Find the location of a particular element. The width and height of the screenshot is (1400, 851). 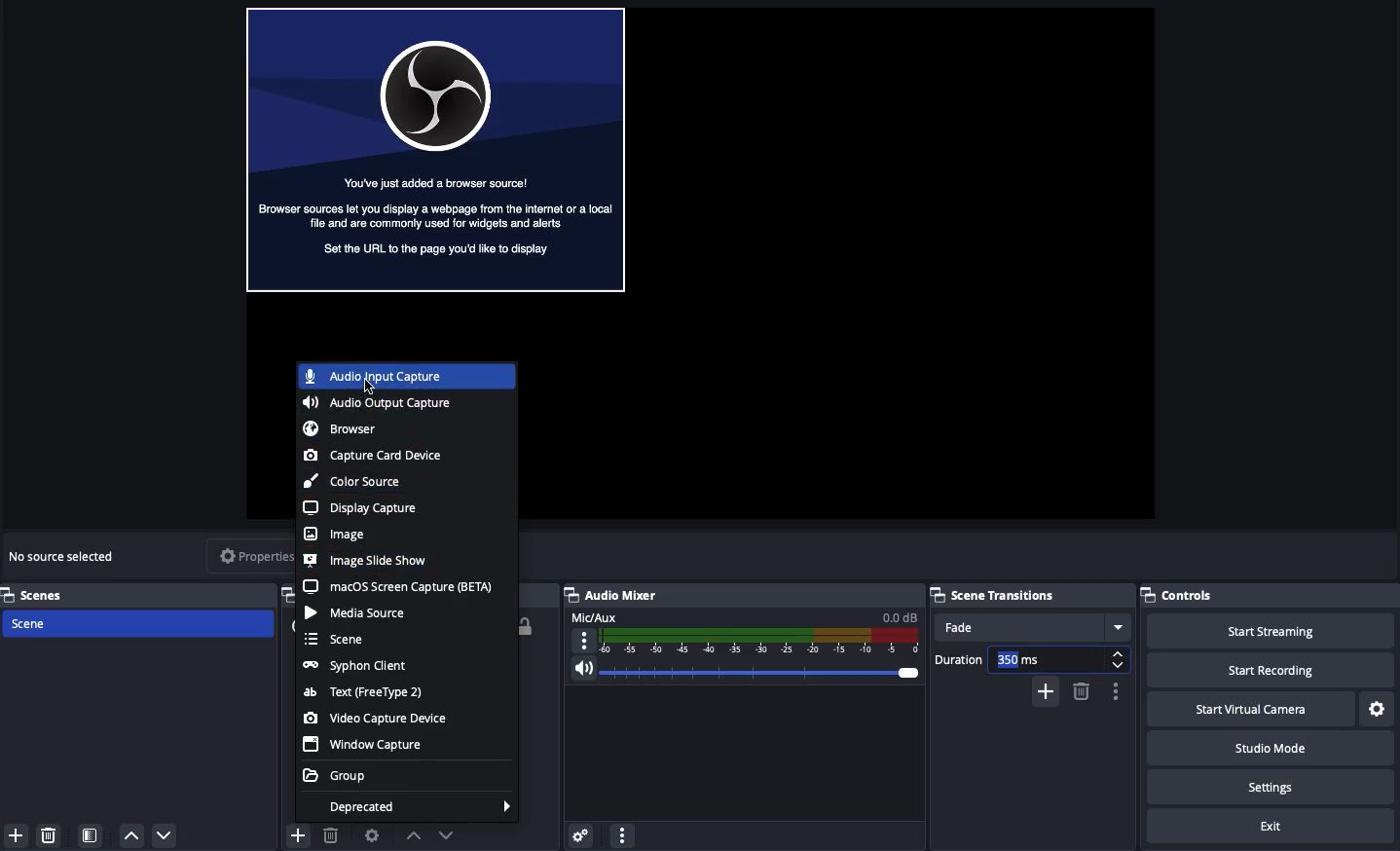

Media source is located at coordinates (357, 612).